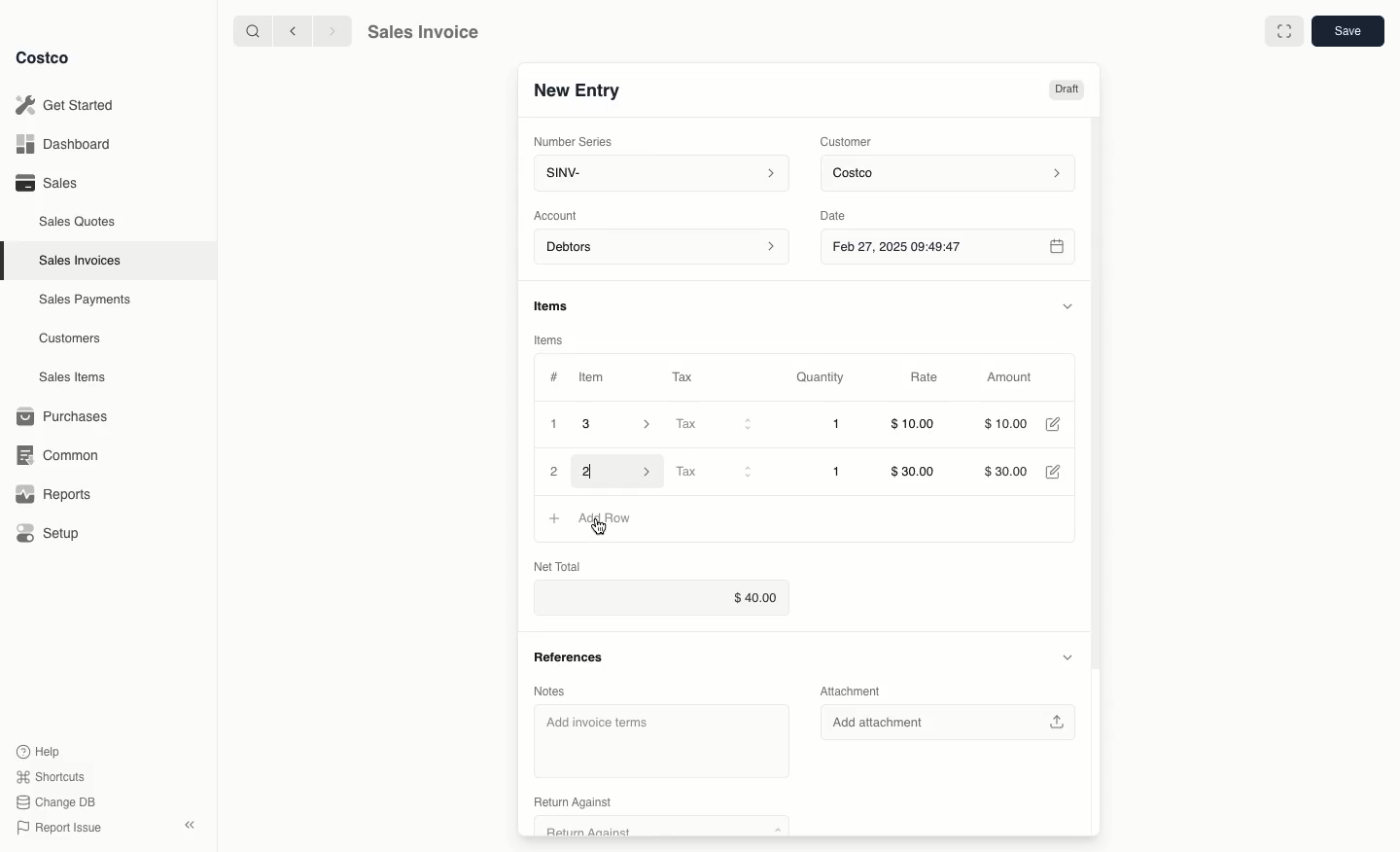 The width and height of the screenshot is (1400, 852). What do you see at coordinates (51, 494) in the screenshot?
I see `Reports` at bounding box center [51, 494].